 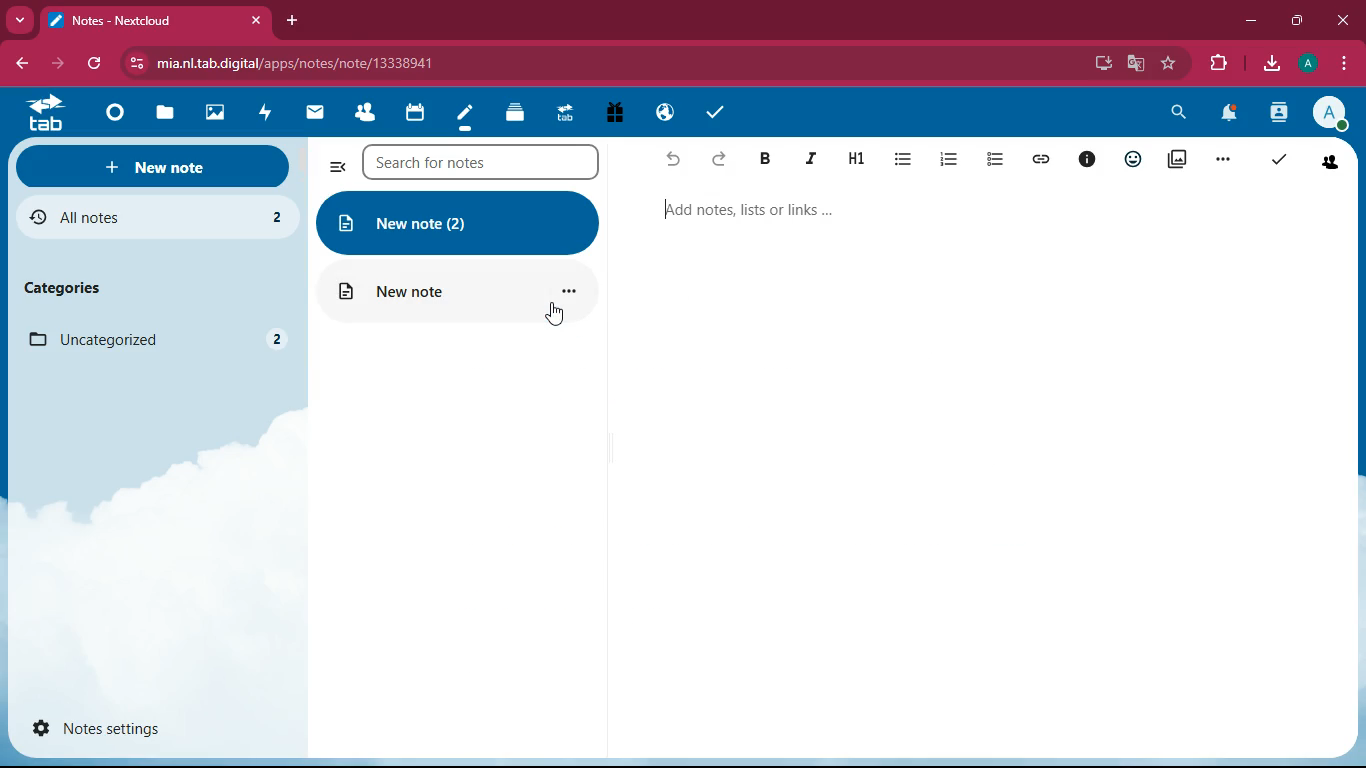 I want to click on fast, so click(x=264, y=112).